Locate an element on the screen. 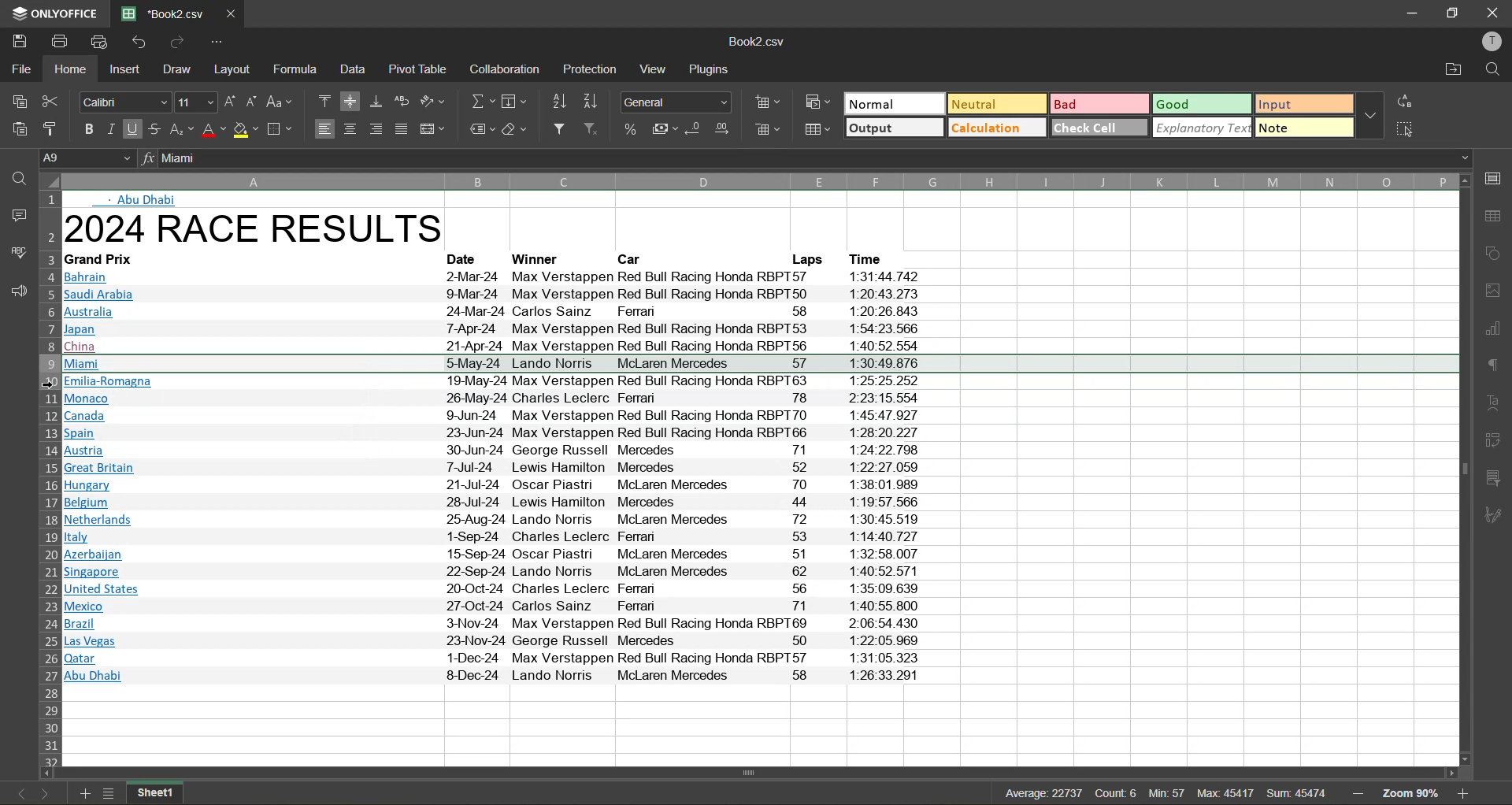 The image size is (1512, 805). Abu Dhabi is located at coordinates (146, 201).